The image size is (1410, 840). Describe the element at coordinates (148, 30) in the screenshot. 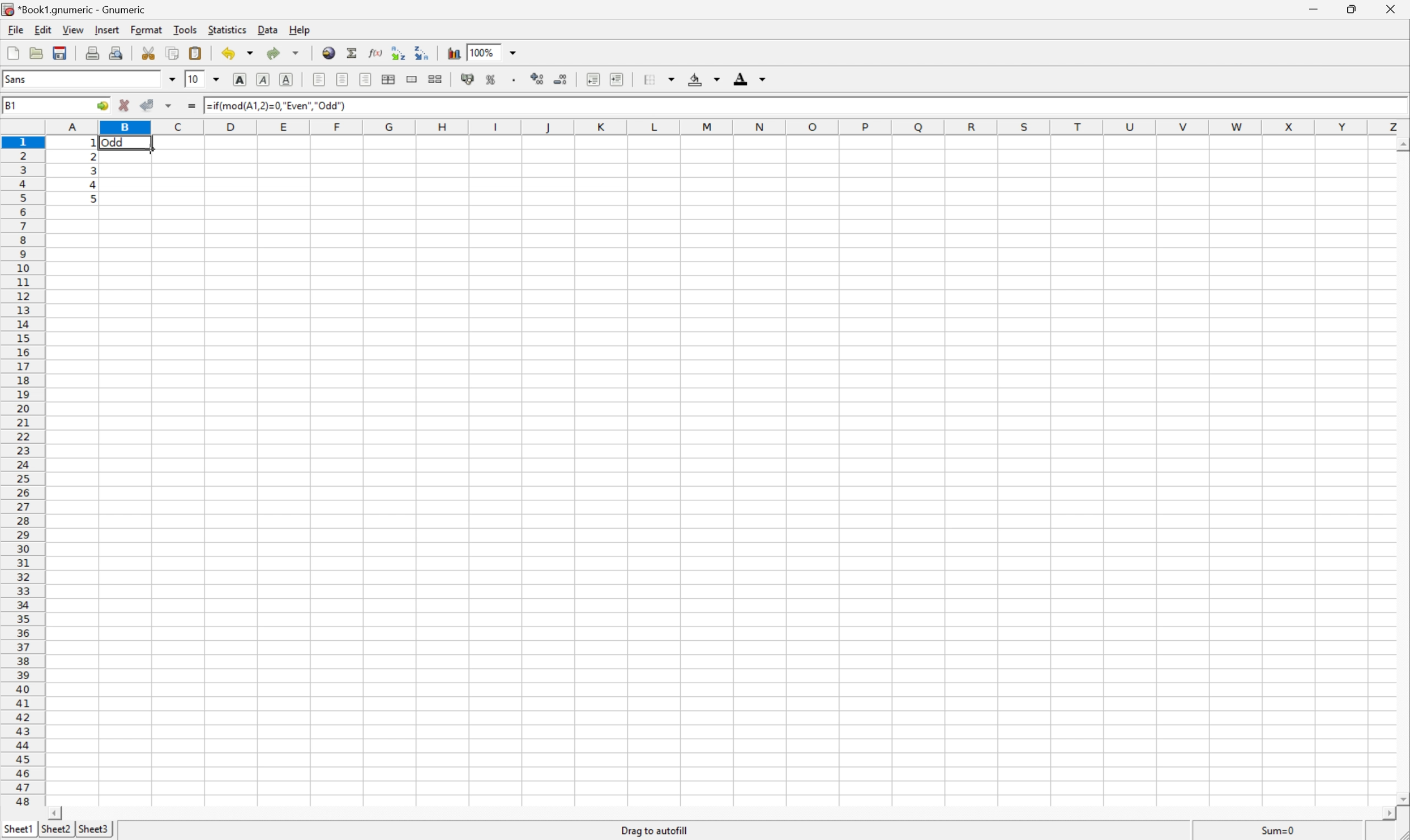

I see `Format` at that location.